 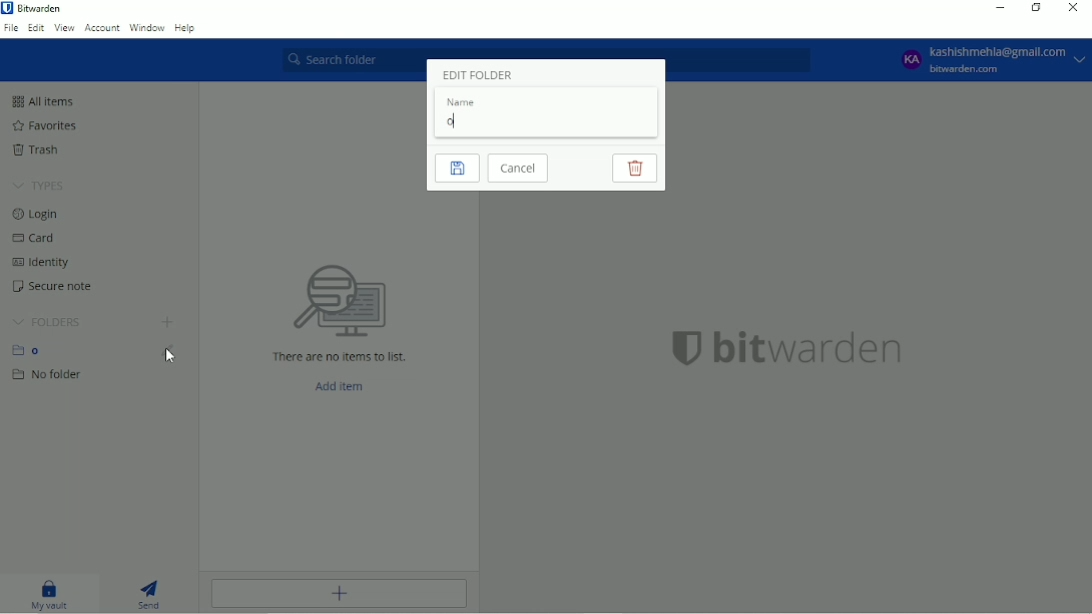 I want to click on File, so click(x=11, y=28).